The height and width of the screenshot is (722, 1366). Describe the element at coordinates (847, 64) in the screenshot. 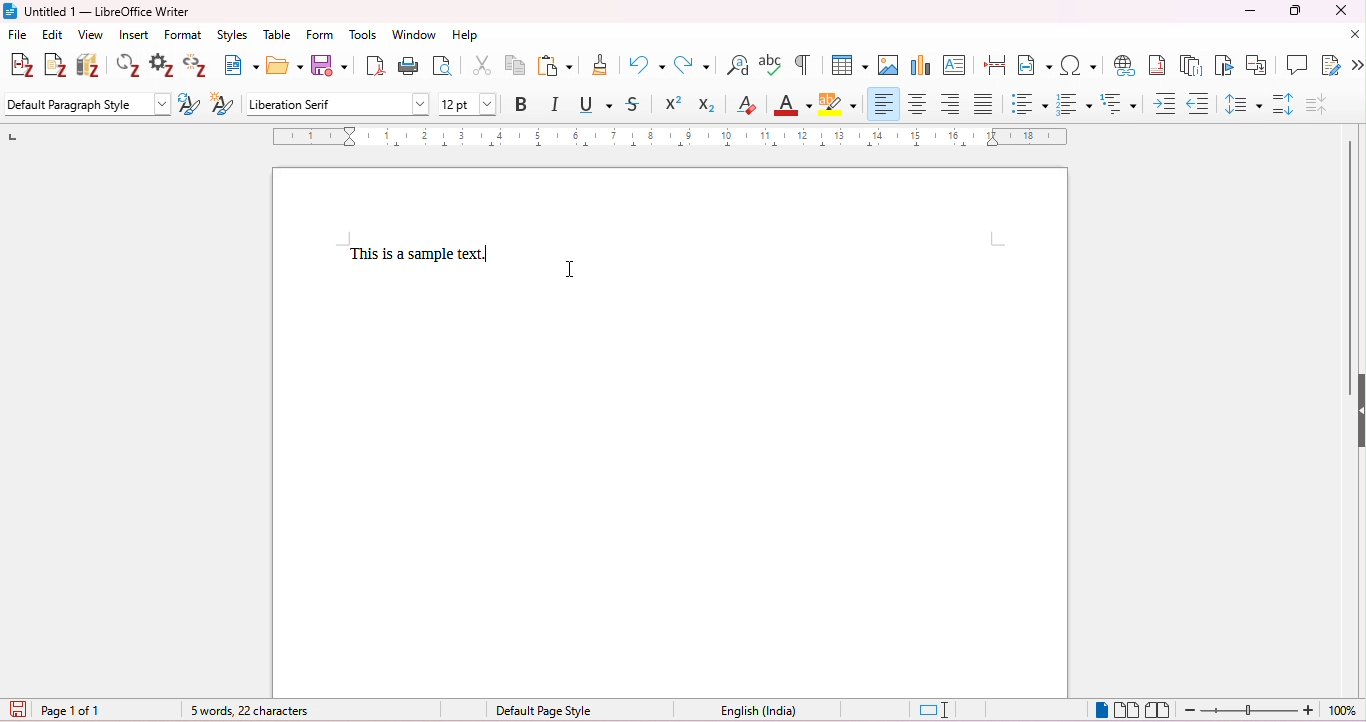

I see `insert table` at that location.